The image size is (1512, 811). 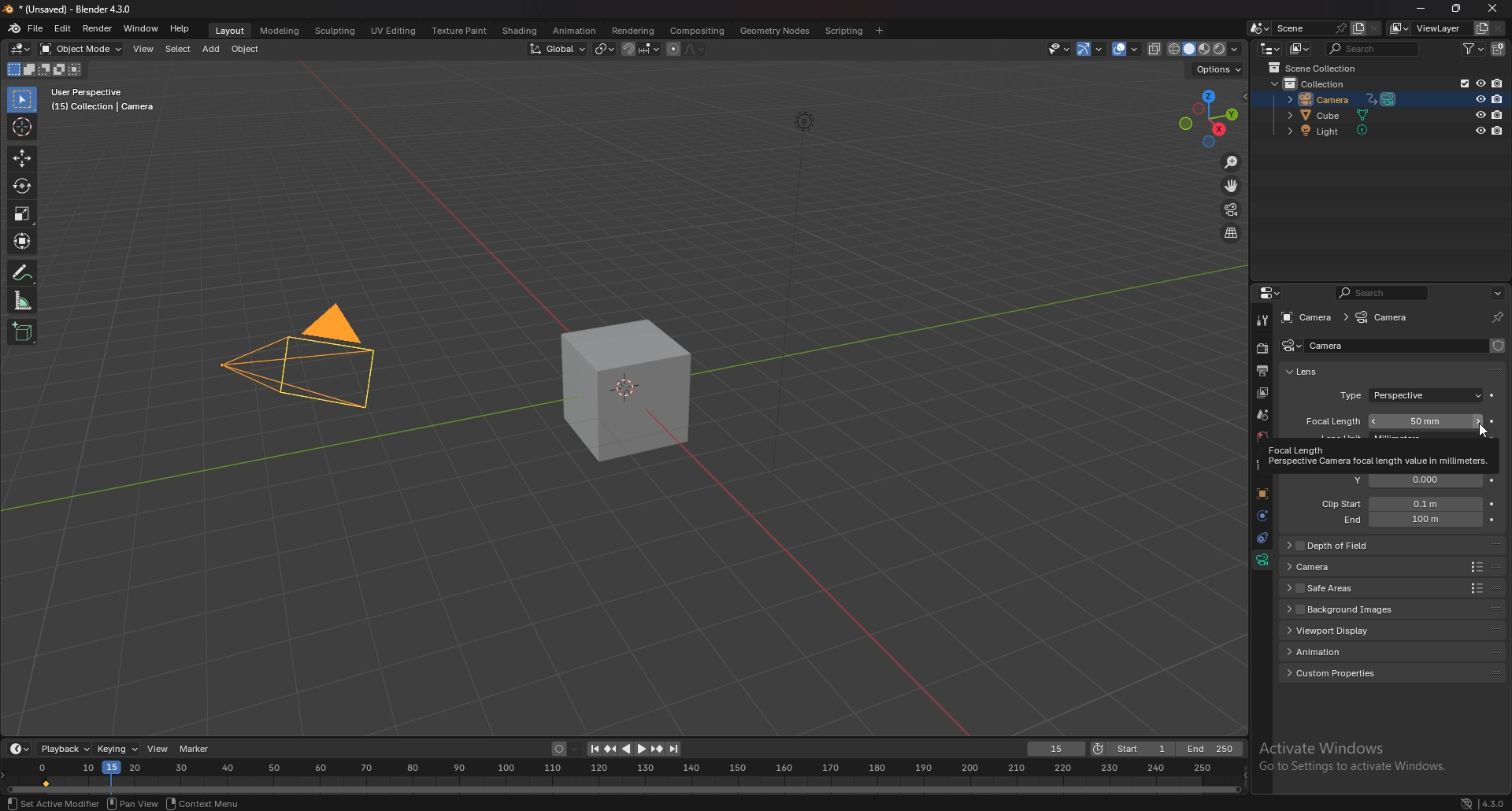 I want to click on , so click(x=1477, y=588).